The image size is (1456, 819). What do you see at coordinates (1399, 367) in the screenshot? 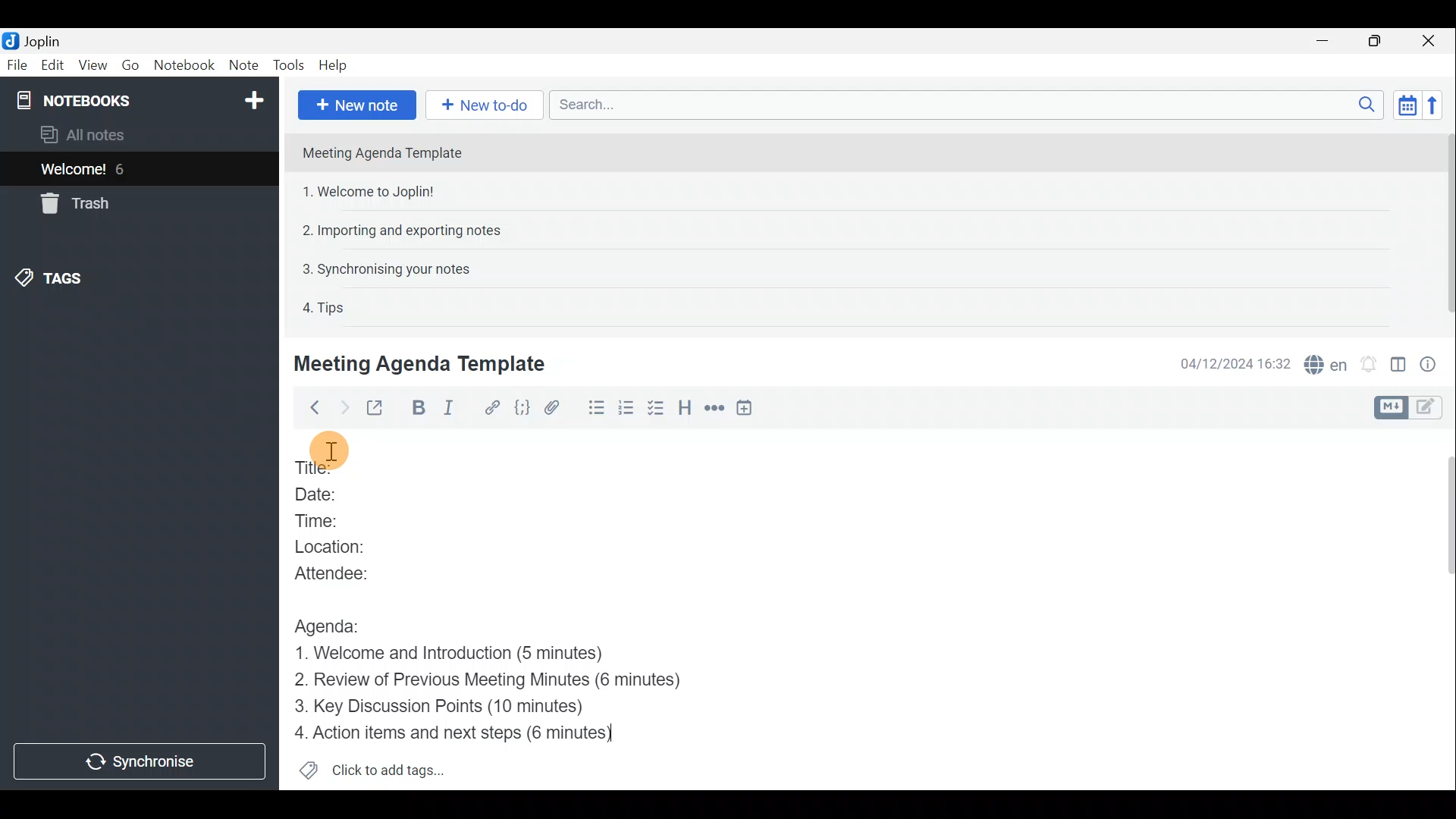
I see `Toggle editor layout` at bounding box center [1399, 367].